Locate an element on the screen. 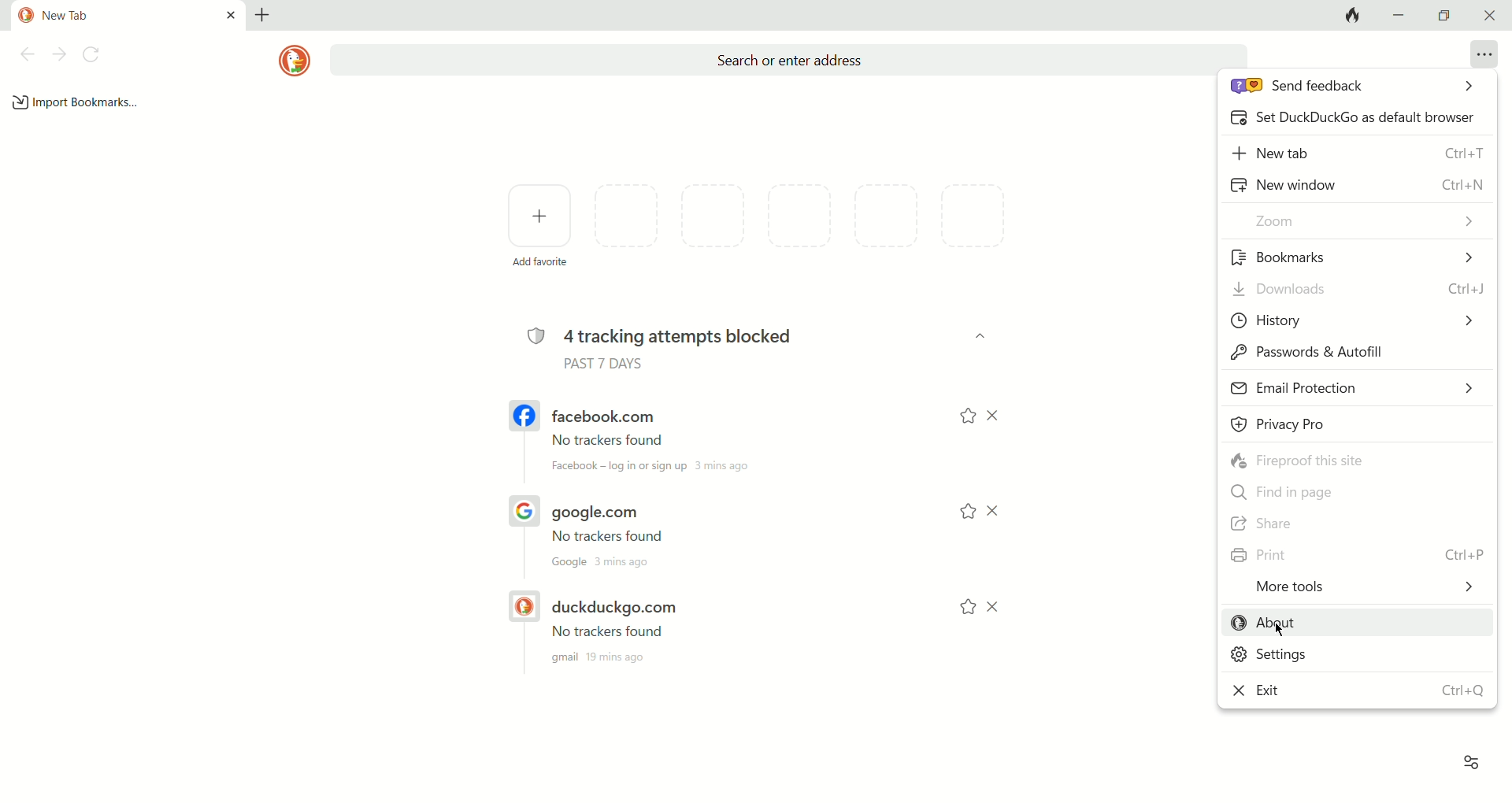 This screenshot has height=803, width=1512. downloads is located at coordinates (1357, 291).